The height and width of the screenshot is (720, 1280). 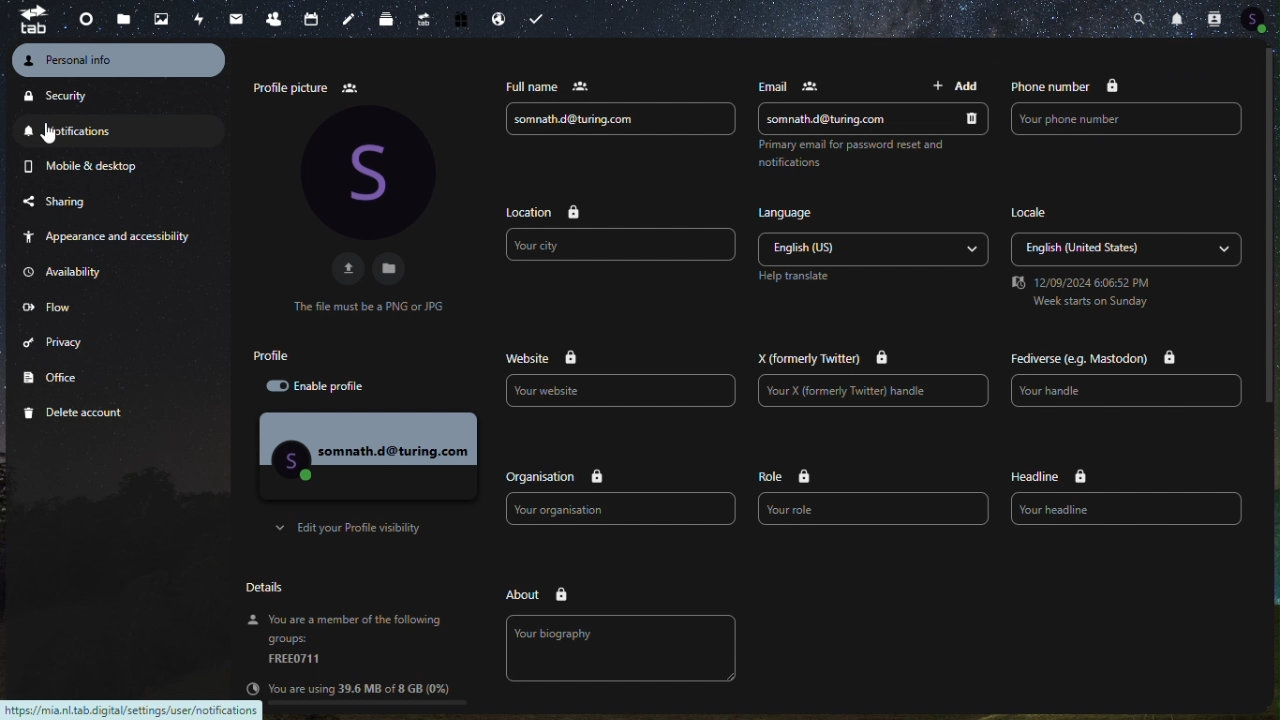 I want to click on Your headline, so click(x=1127, y=508).